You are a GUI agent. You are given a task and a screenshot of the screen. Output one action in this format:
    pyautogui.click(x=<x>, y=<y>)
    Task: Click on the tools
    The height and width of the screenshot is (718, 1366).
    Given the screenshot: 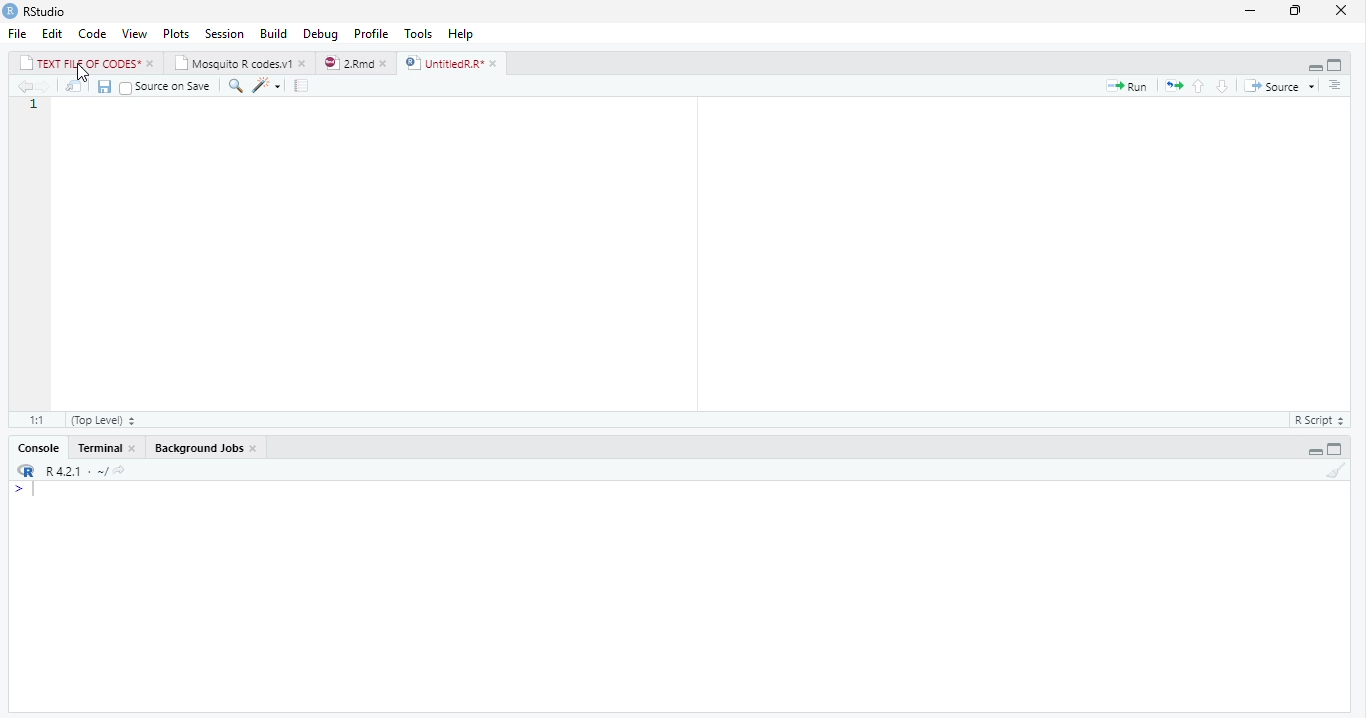 What is the action you would take?
    pyautogui.click(x=420, y=34)
    